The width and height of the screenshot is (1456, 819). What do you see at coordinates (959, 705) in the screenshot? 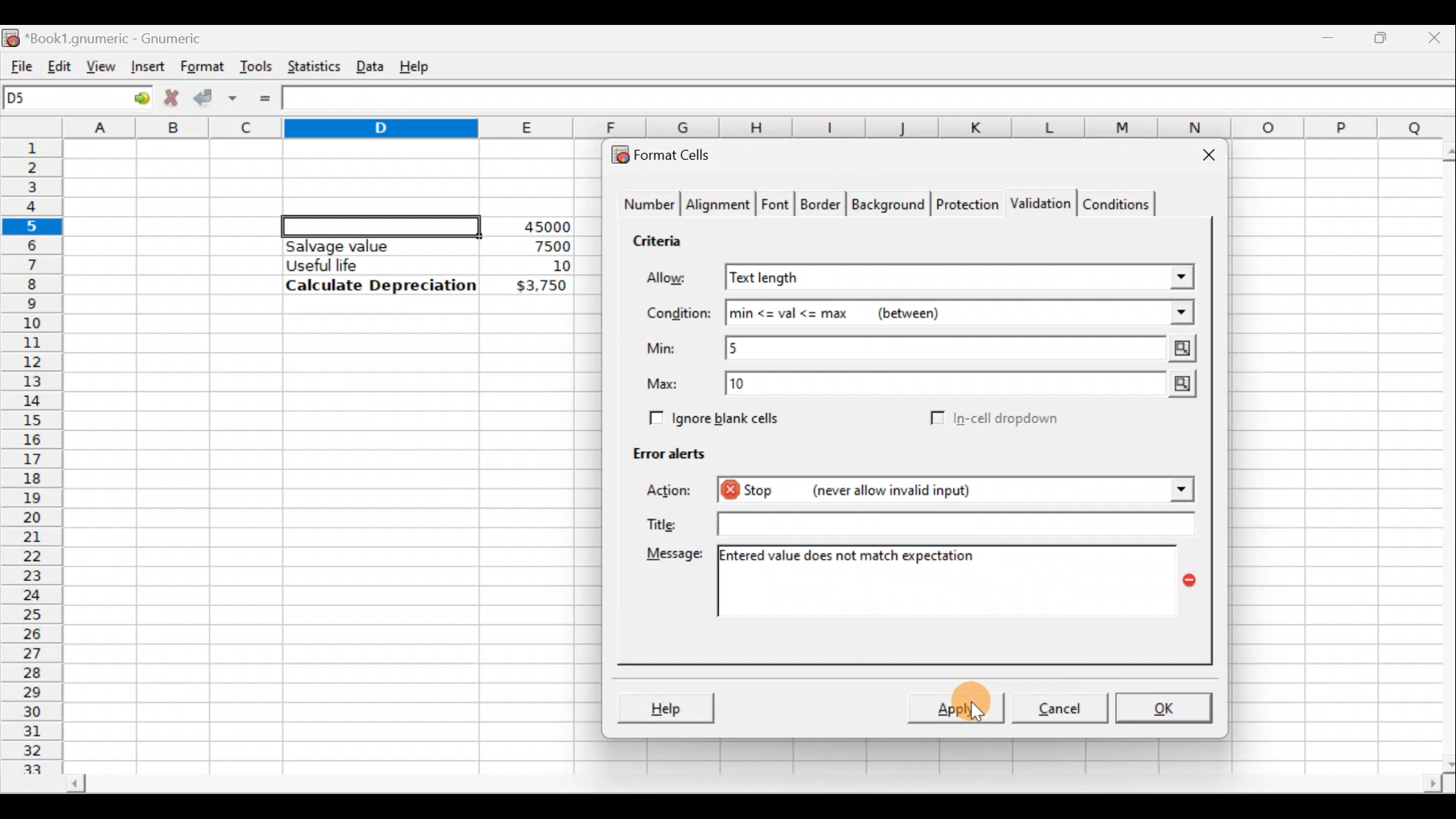
I see `Apply` at bounding box center [959, 705].